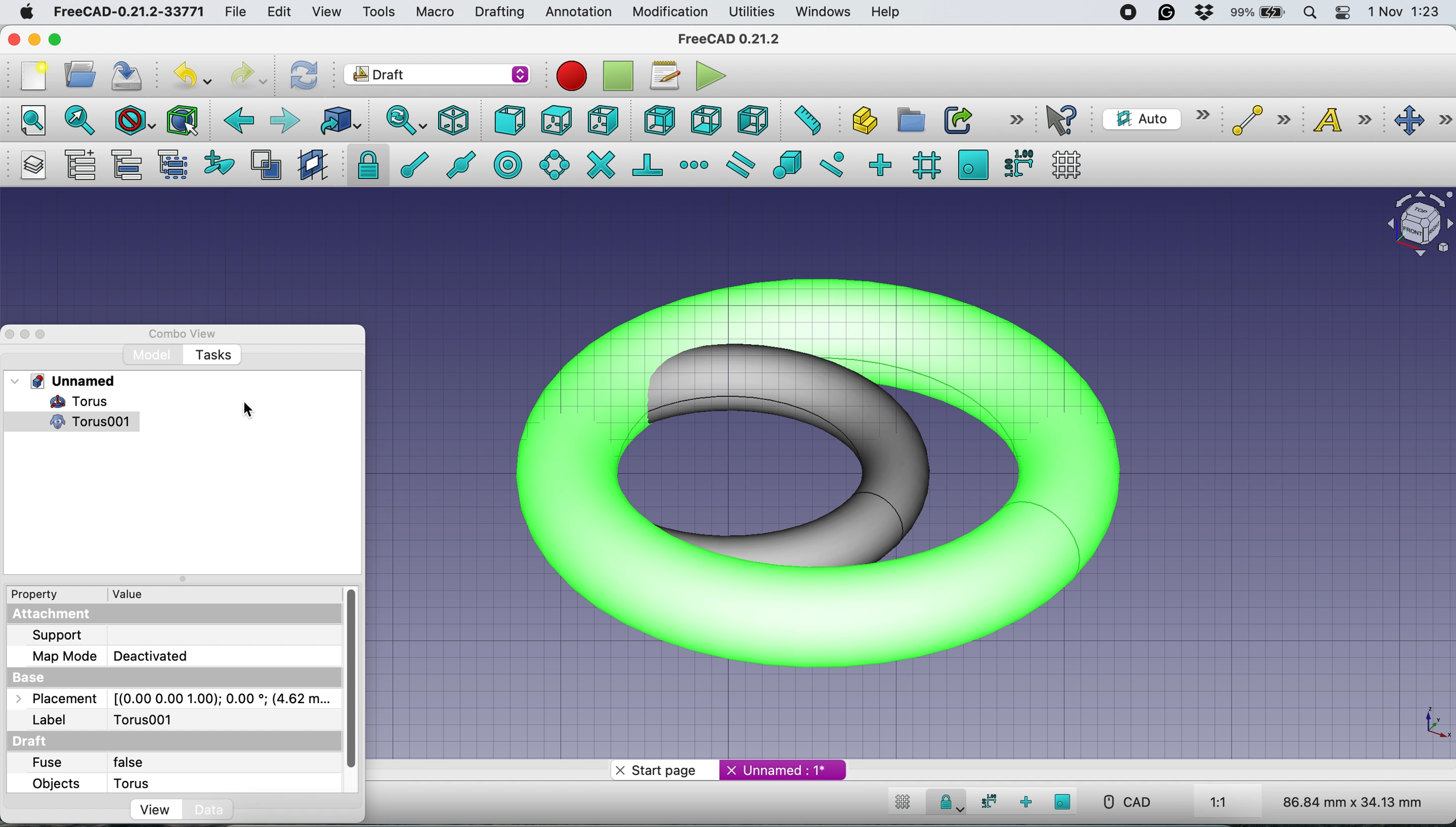 This screenshot has height=827, width=1456. What do you see at coordinates (835, 469) in the screenshot?
I see `Scaled Torus` at bounding box center [835, 469].